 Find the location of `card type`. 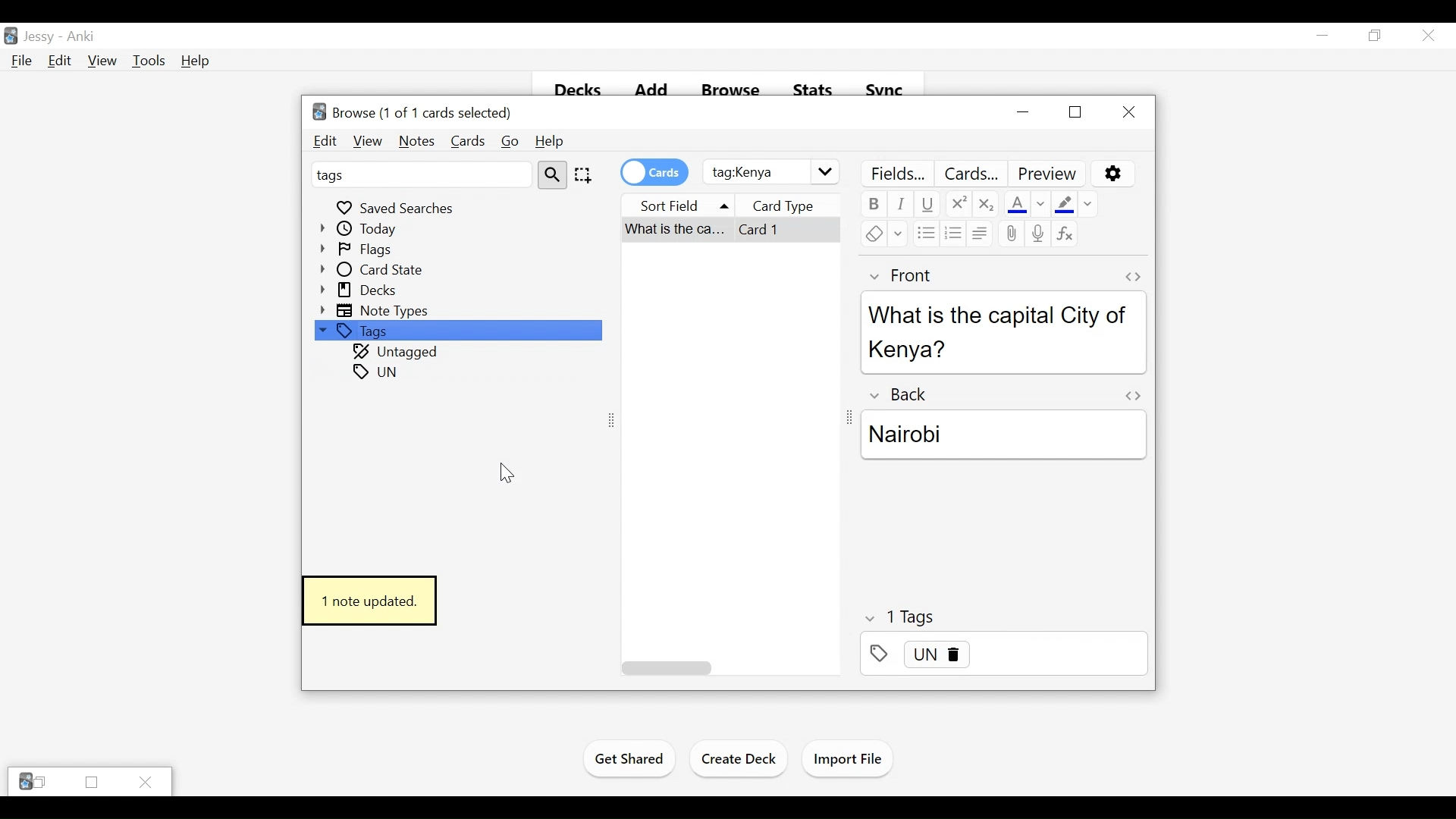

card type is located at coordinates (798, 204).